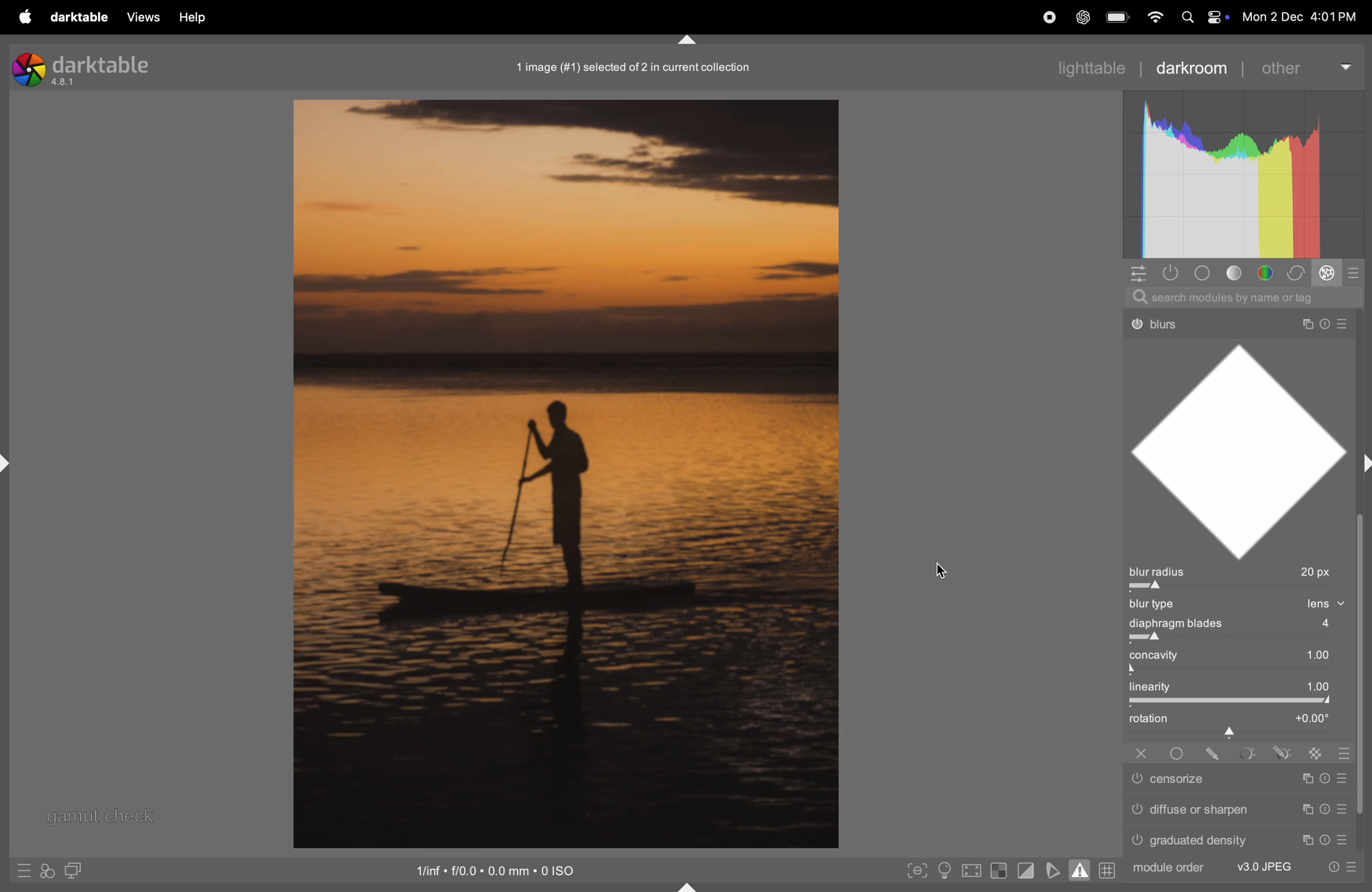 This screenshot has width=1372, height=892. Describe the element at coordinates (1241, 638) in the screenshot. I see `toggle bar` at that location.